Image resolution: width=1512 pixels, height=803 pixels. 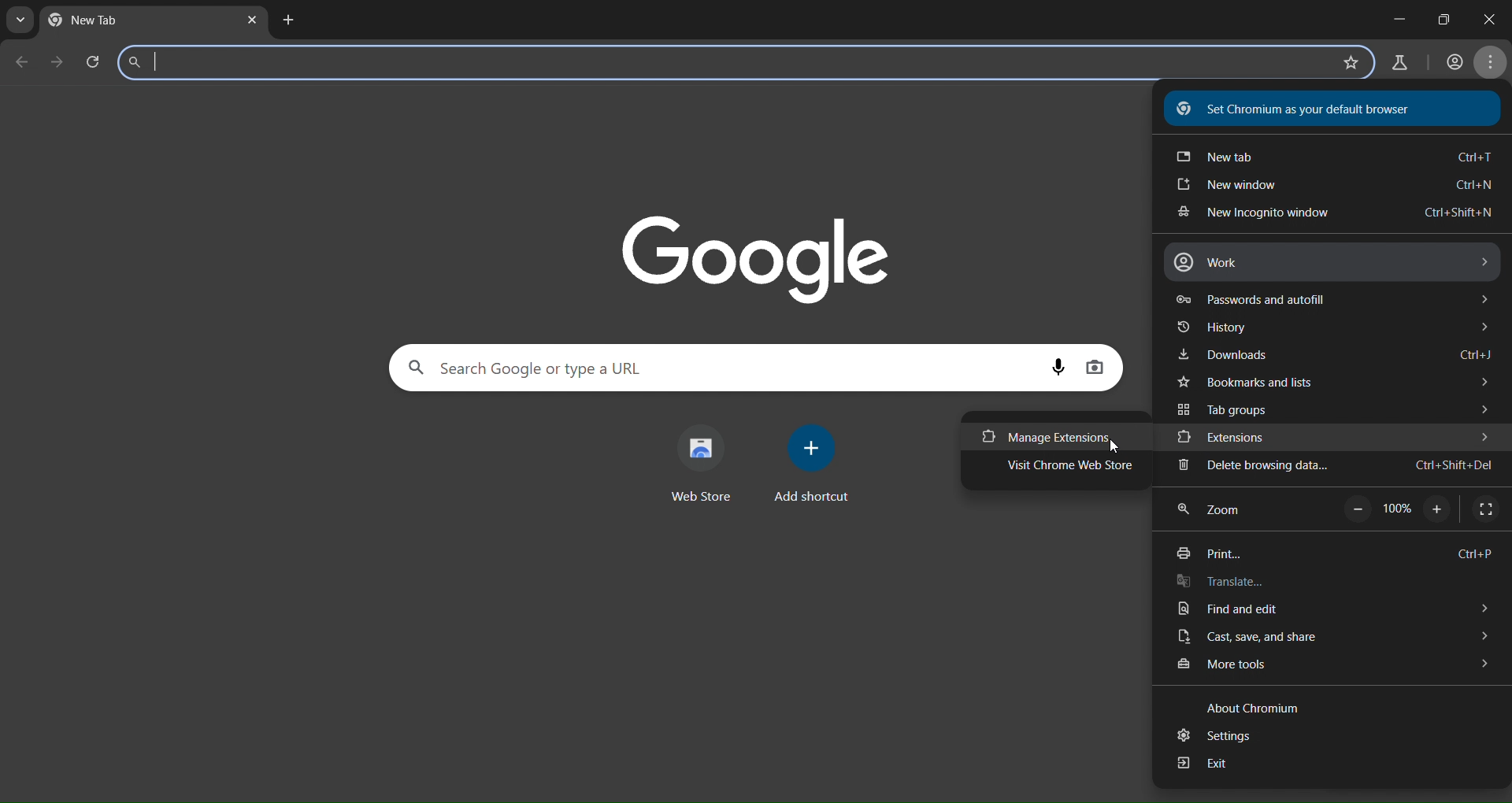 I want to click on close tab, so click(x=252, y=20).